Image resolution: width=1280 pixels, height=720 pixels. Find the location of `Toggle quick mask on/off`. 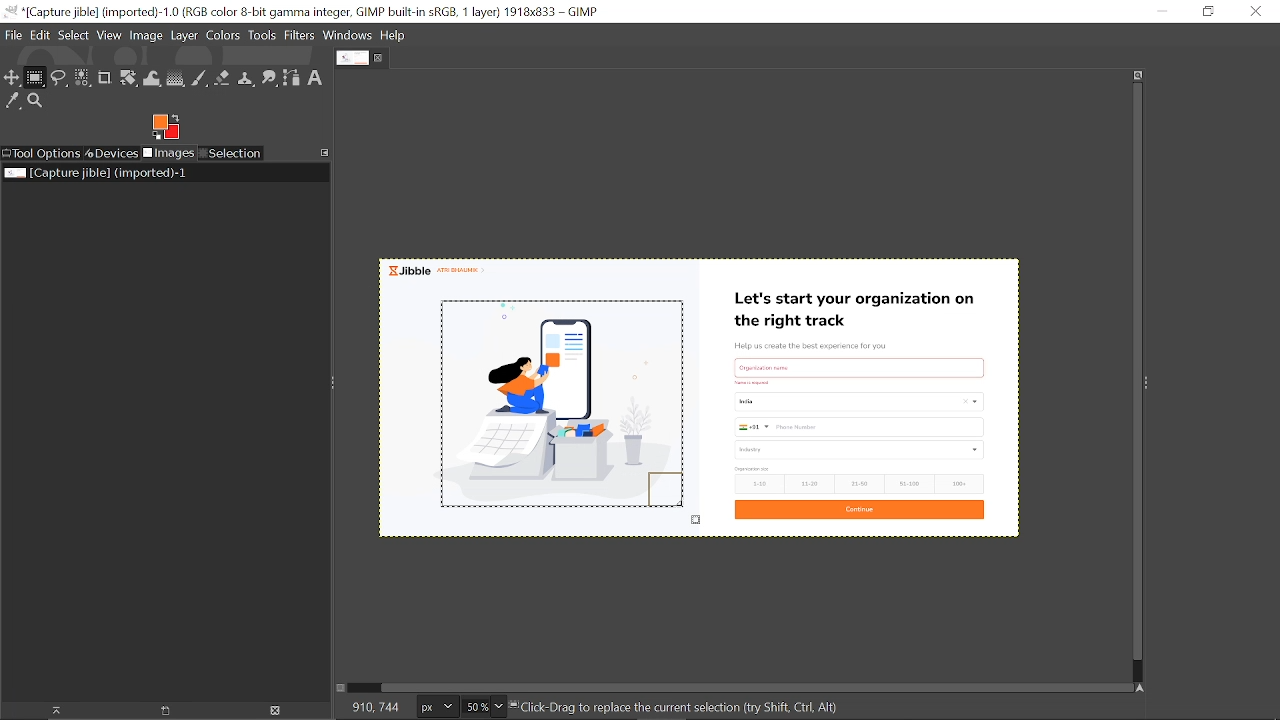

Toggle quick mask on/off is located at coordinates (344, 689).